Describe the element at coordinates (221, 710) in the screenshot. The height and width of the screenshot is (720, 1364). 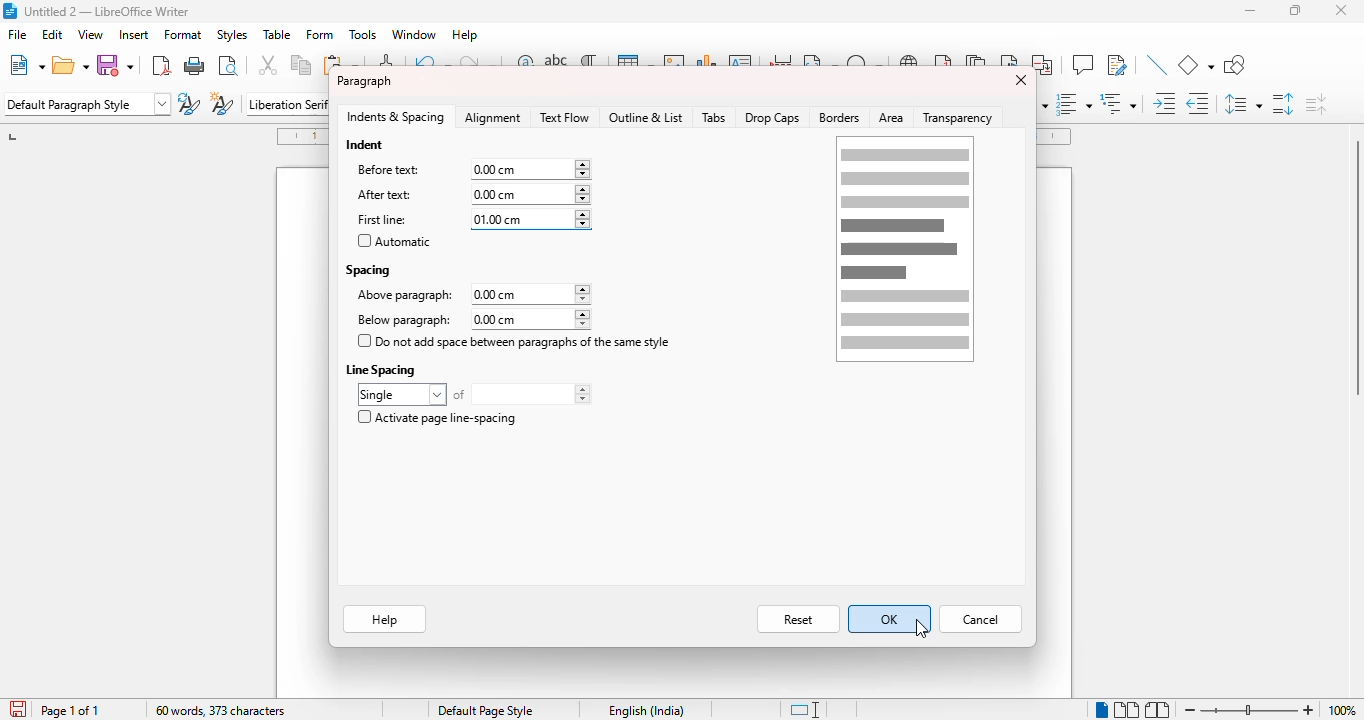
I see `word and character count` at that location.